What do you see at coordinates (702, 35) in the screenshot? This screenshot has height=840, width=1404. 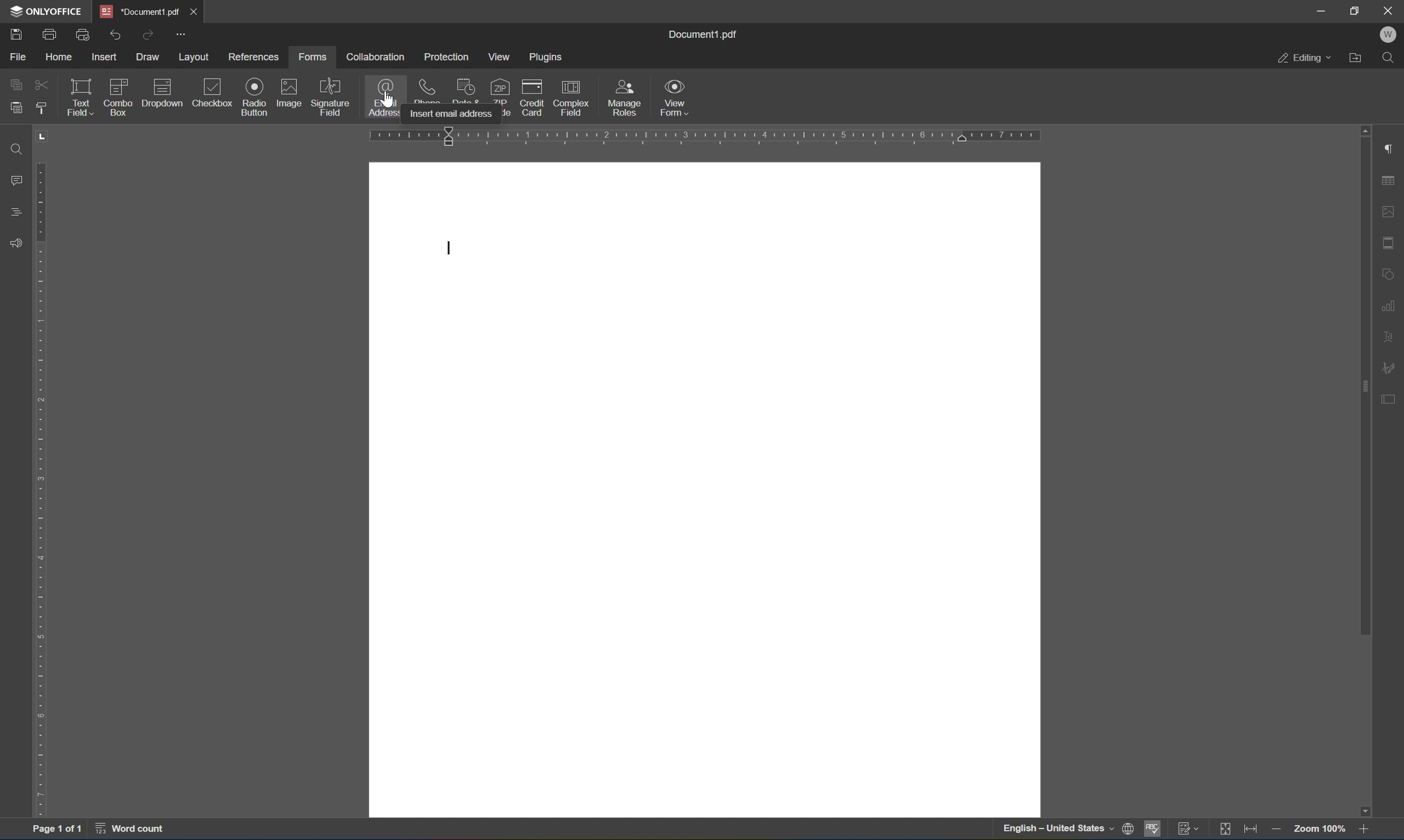 I see `document1.pdf` at bounding box center [702, 35].